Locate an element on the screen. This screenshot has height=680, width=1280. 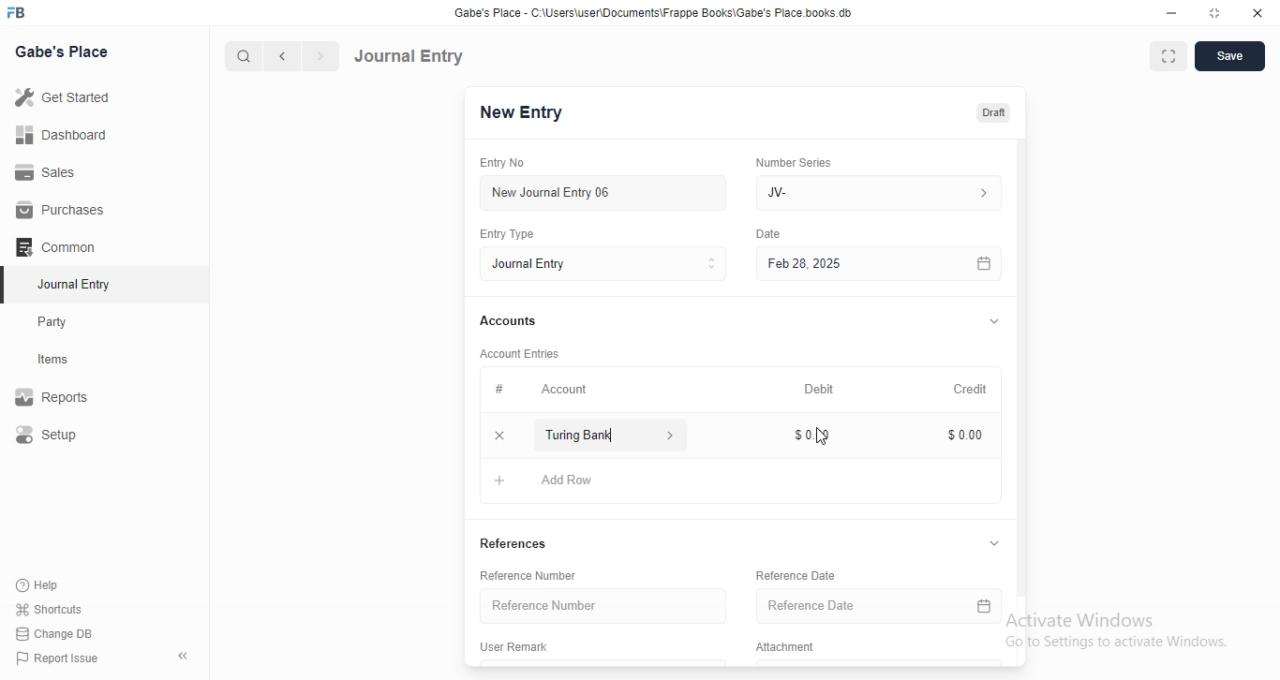
Reference Date is located at coordinates (806, 574).